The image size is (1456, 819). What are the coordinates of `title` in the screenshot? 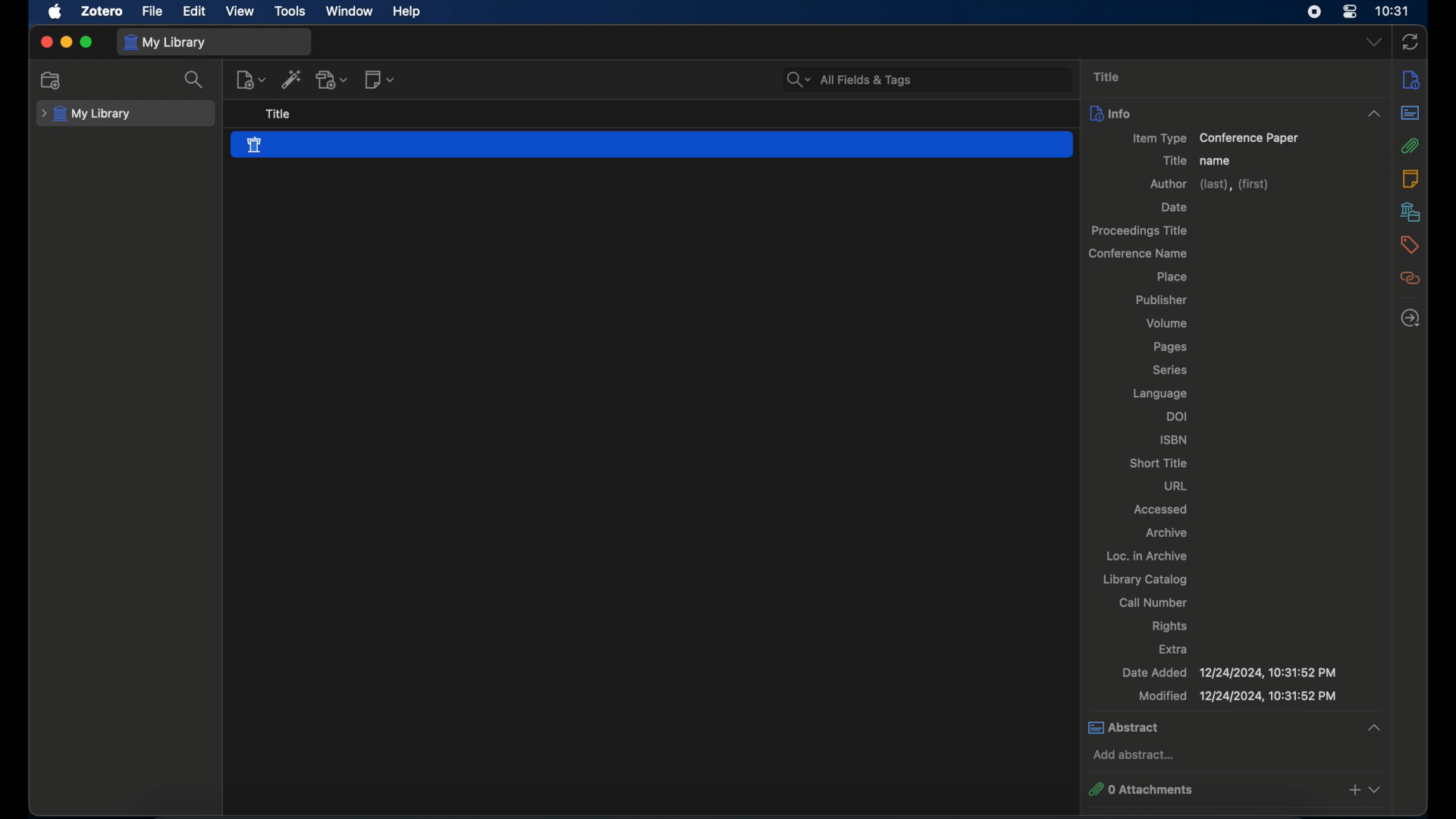 It's located at (1106, 77).